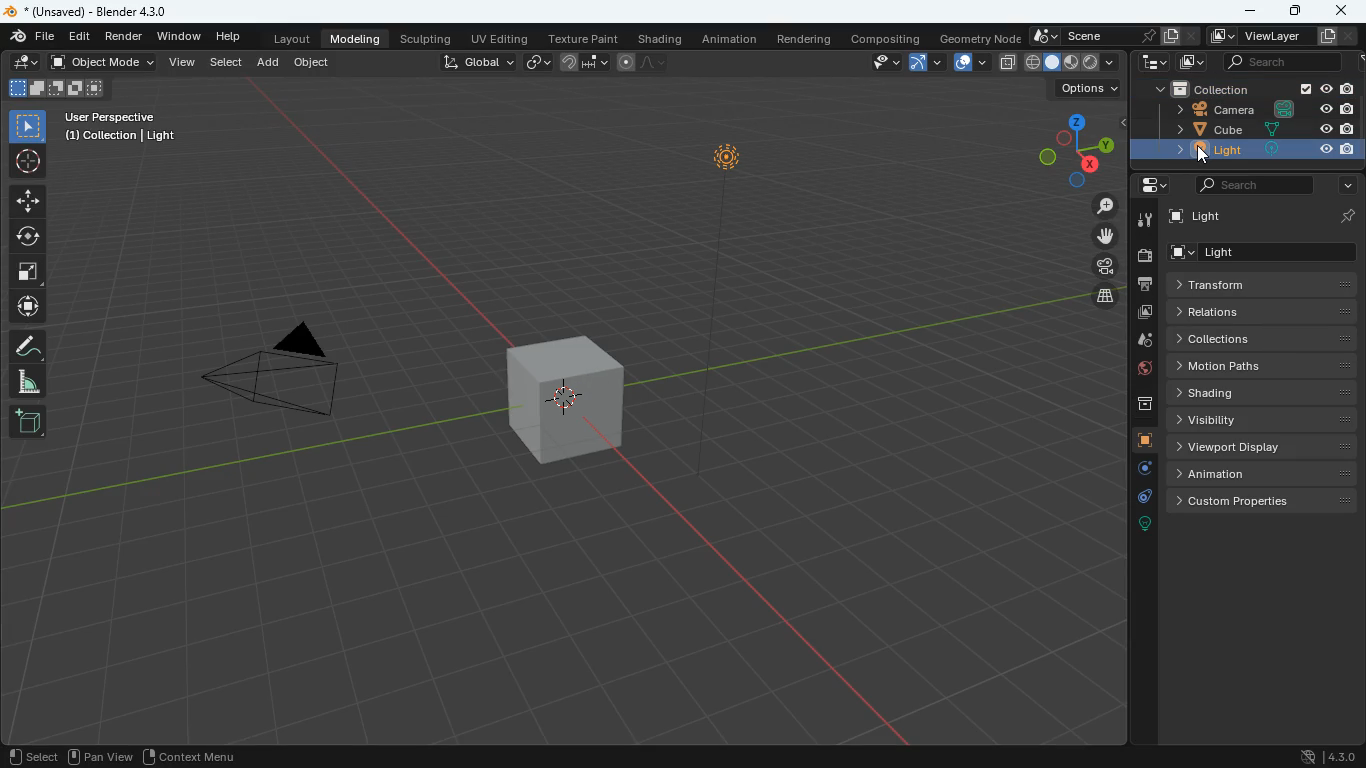 Image resolution: width=1366 pixels, height=768 pixels. Describe the element at coordinates (585, 38) in the screenshot. I see `texture paint` at that location.